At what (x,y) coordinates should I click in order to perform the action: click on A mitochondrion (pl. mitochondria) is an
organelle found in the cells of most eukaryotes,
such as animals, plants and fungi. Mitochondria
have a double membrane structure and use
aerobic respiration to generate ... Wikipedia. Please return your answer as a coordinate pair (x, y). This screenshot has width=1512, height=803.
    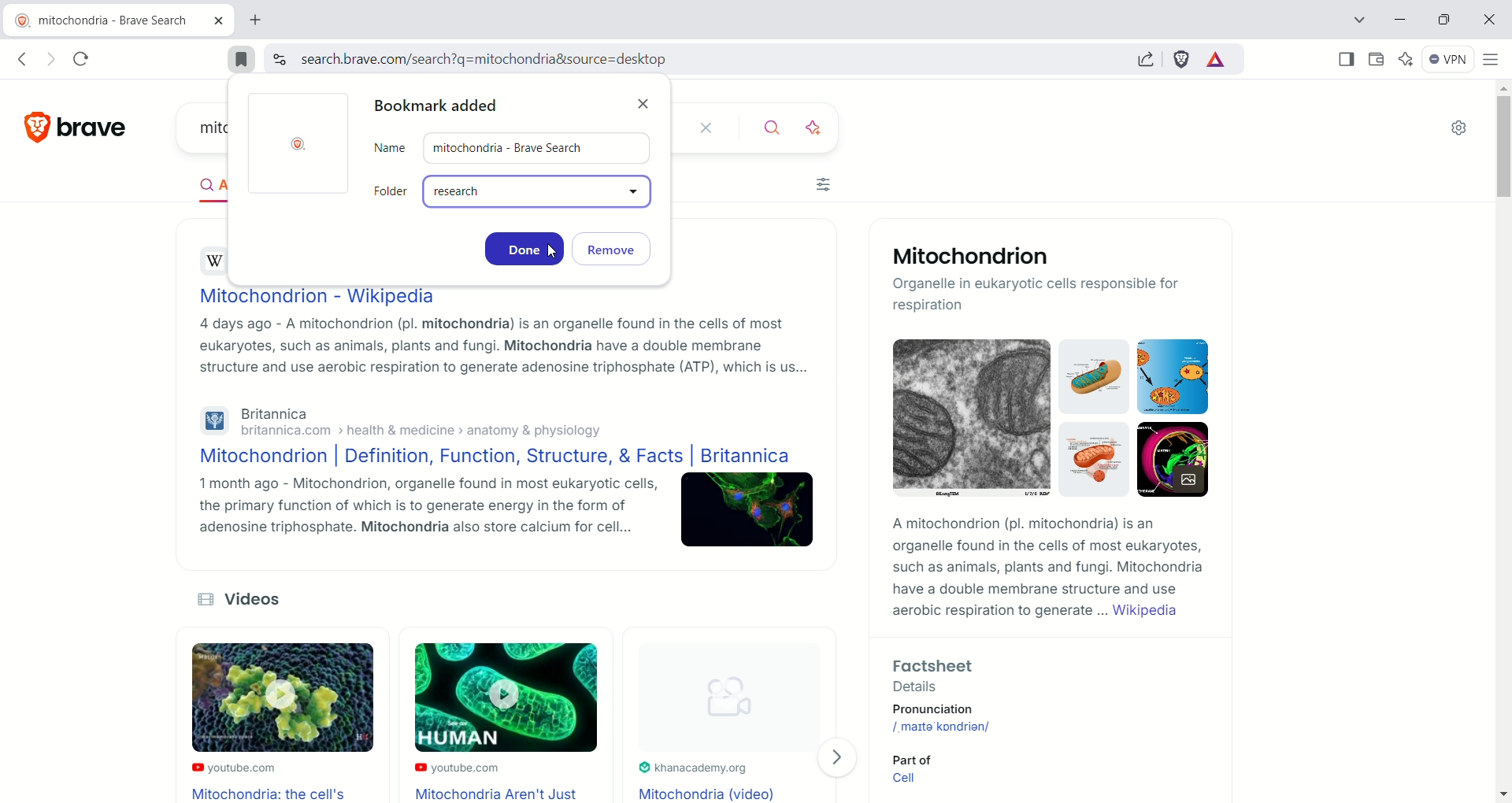
    Looking at the image, I should click on (1043, 569).